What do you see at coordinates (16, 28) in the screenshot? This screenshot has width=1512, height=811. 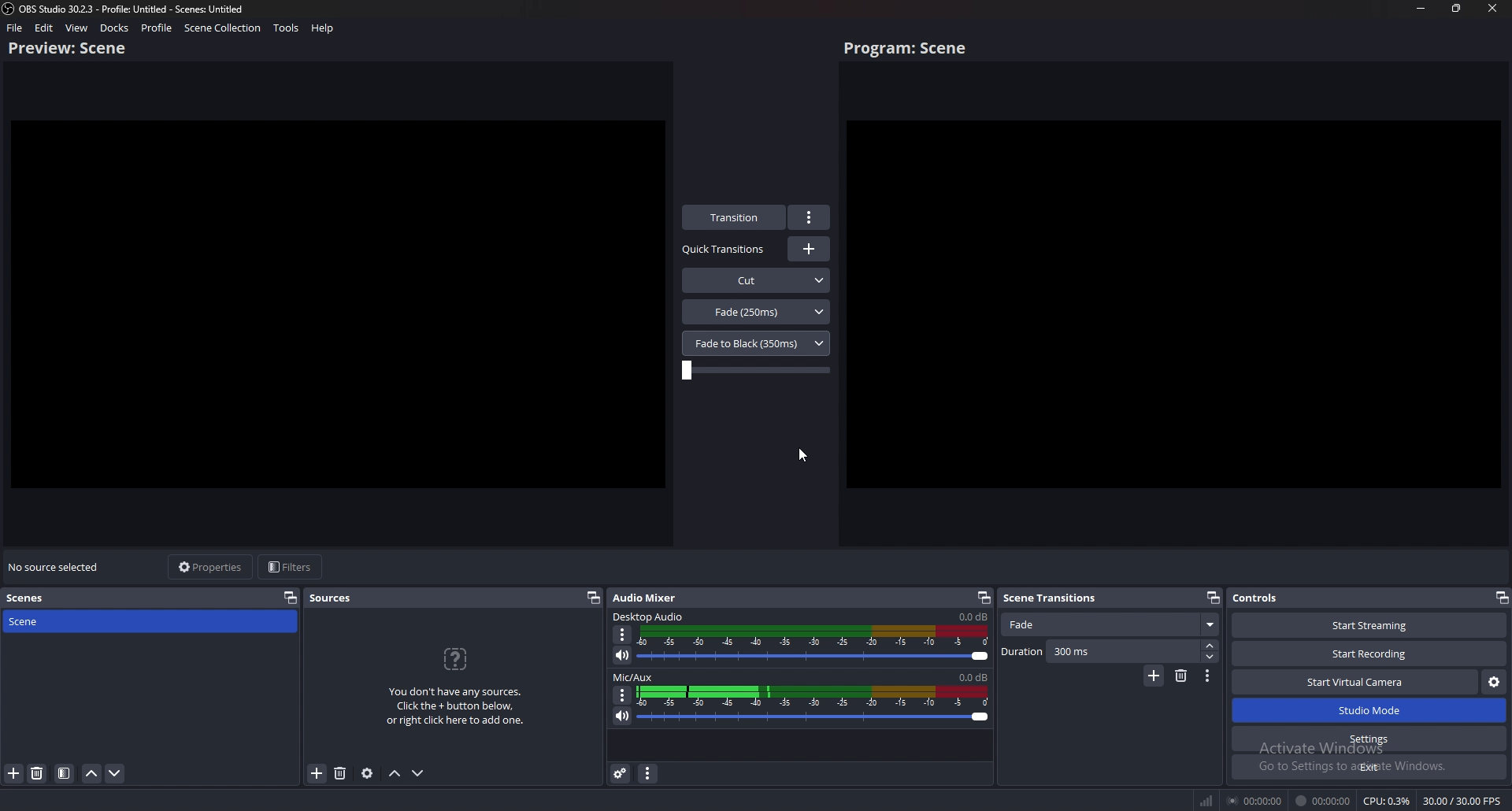 I see `file` at bounding box center [16, 28].